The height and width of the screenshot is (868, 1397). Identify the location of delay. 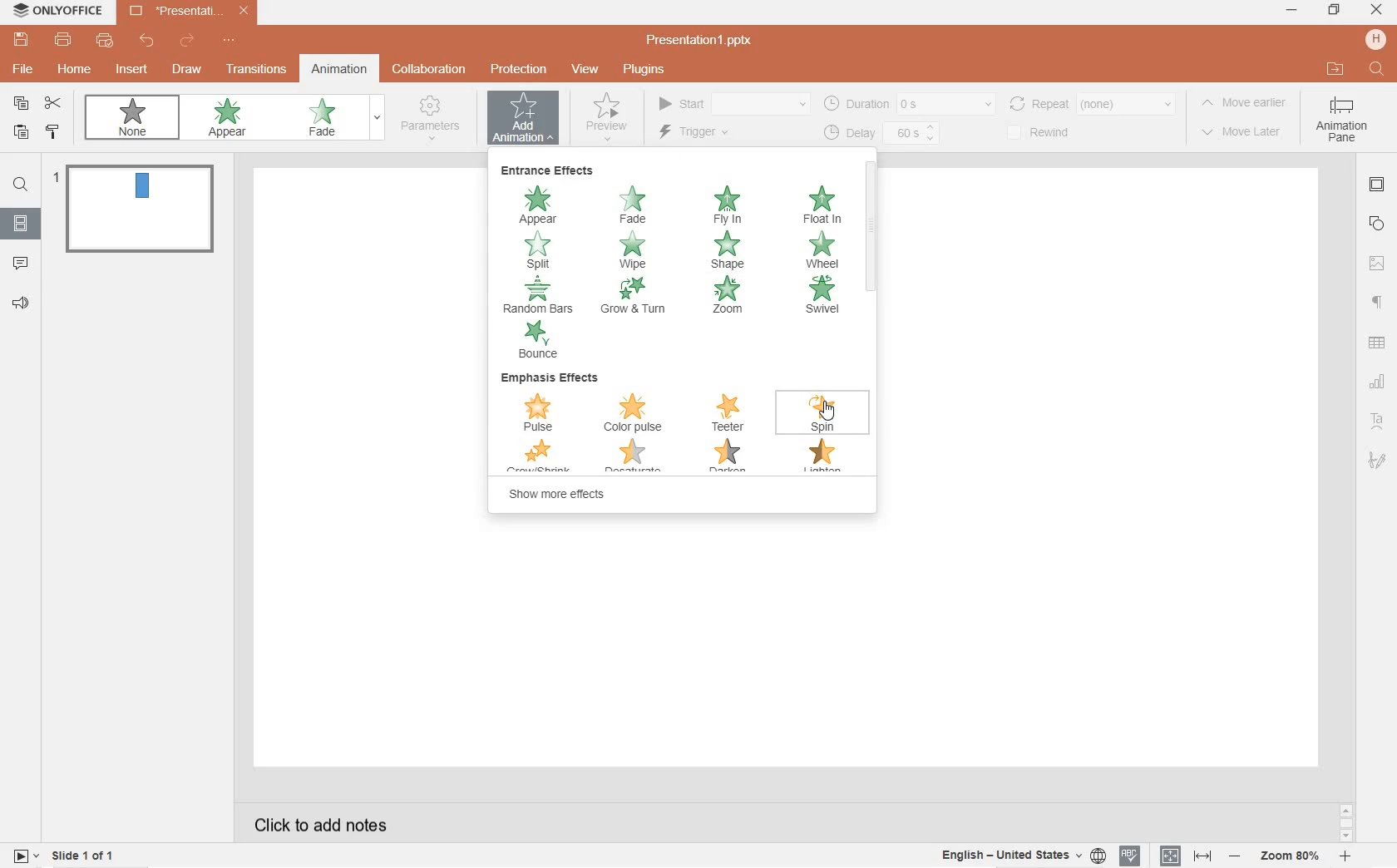
(882, 133).